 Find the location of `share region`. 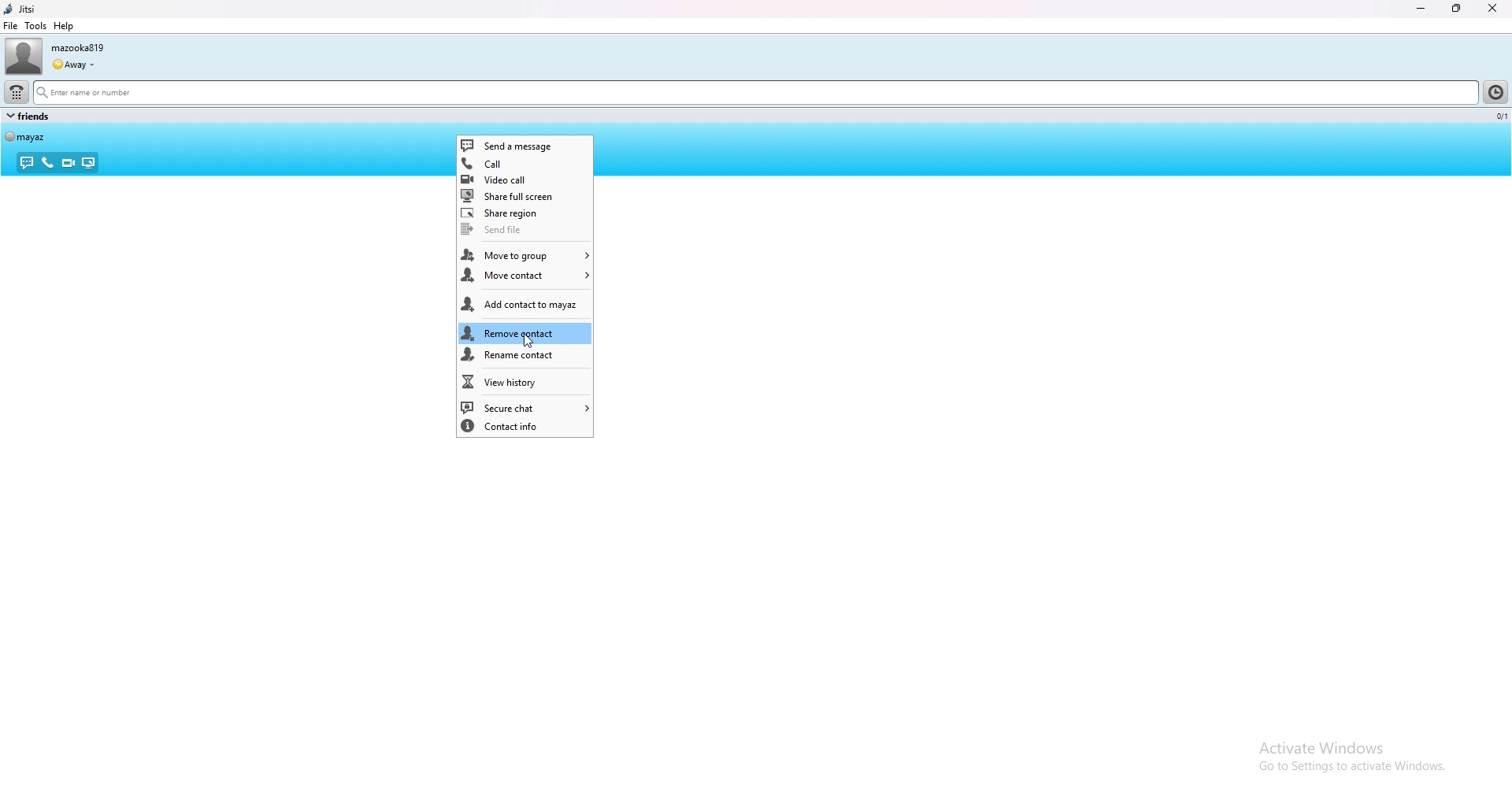

share region is located at coordinates (524, 213).